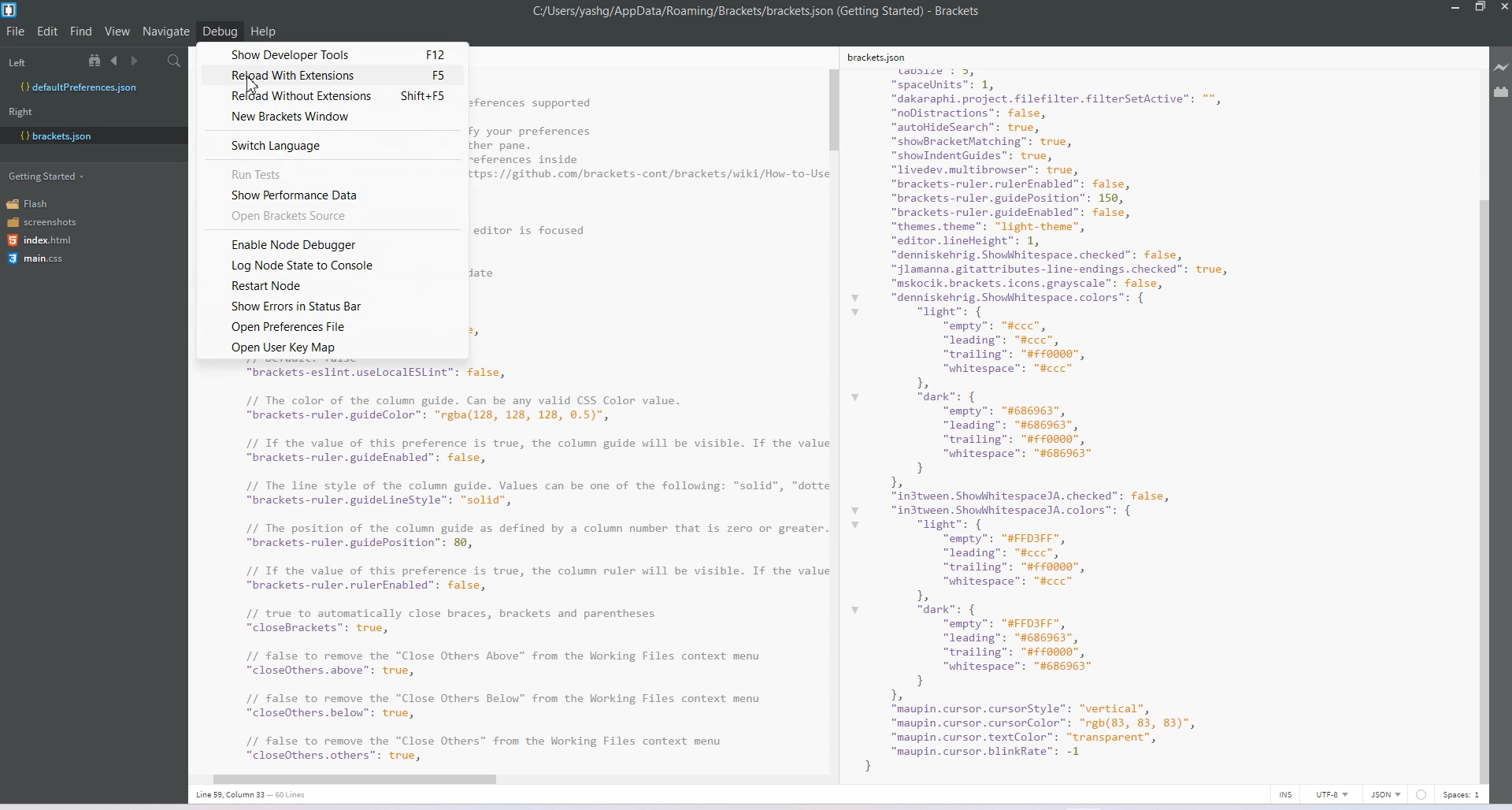  What do you see at coordinates (1457, 8) in the screenshot?
I see `Minimize` at bounding box center [1457, 8].